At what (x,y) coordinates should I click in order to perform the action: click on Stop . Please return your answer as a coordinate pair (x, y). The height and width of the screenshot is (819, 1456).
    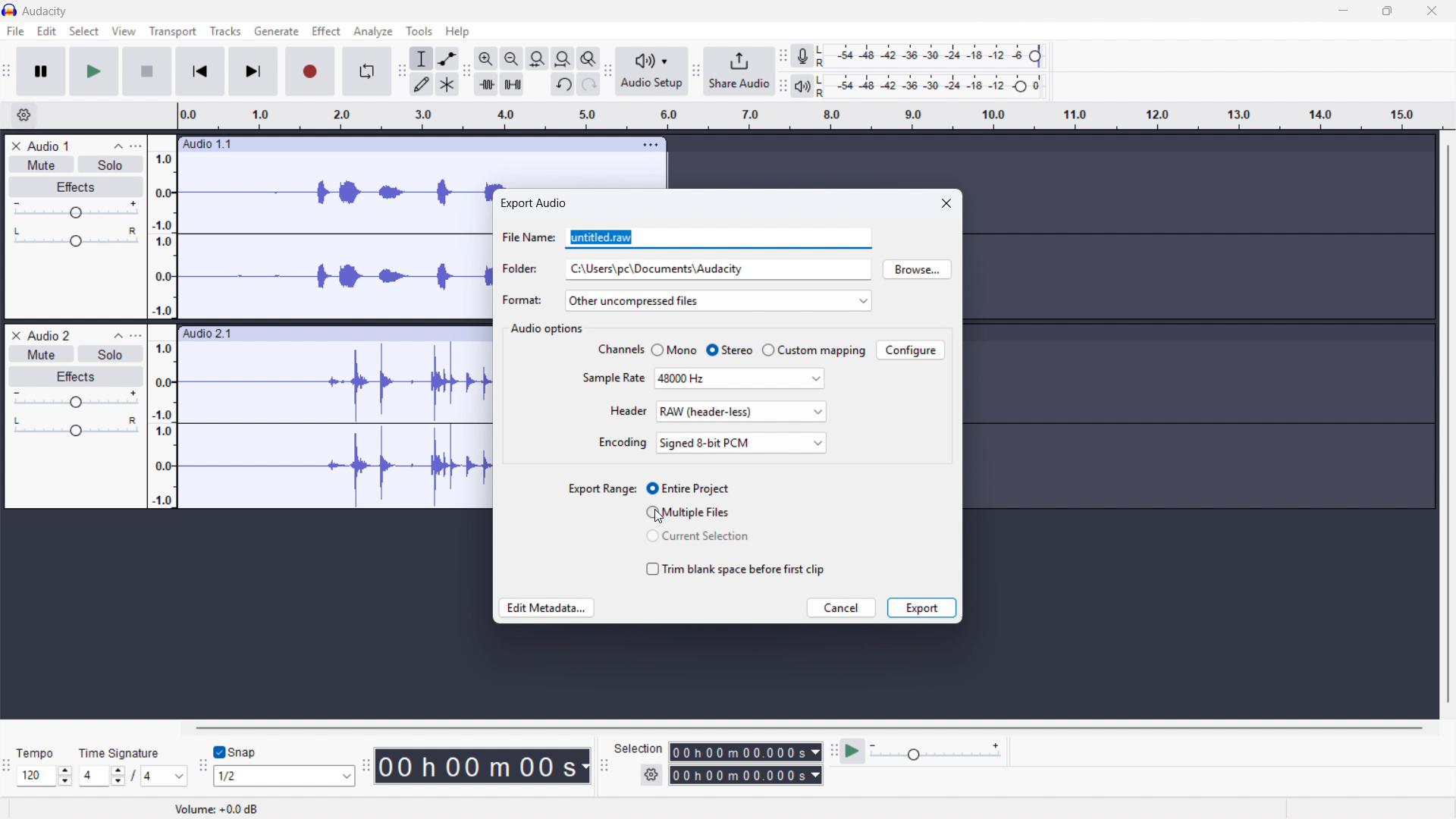
    Looking at the image, I should click on (146, 71).